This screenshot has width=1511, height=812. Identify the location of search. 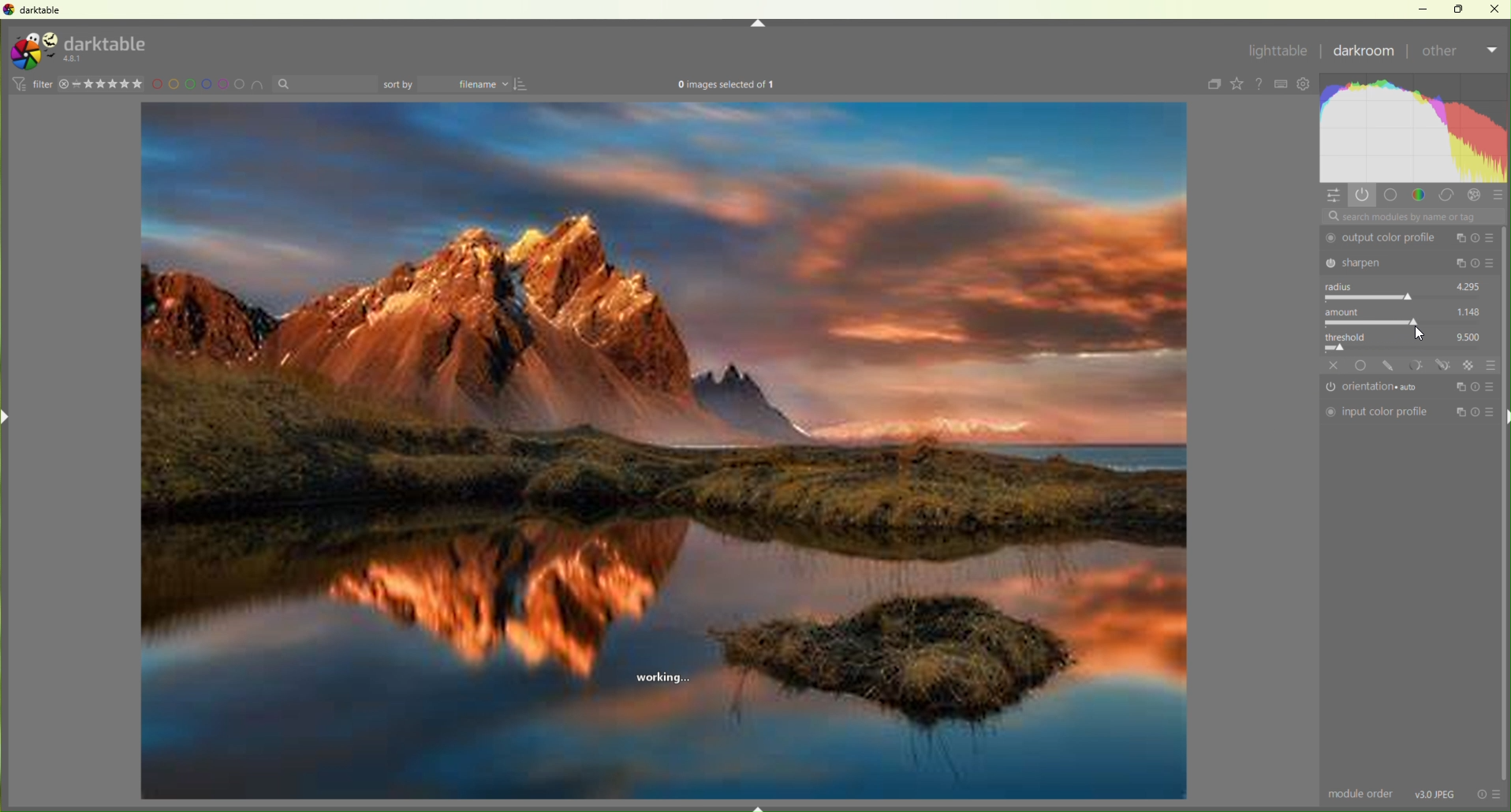
(1412, 217).